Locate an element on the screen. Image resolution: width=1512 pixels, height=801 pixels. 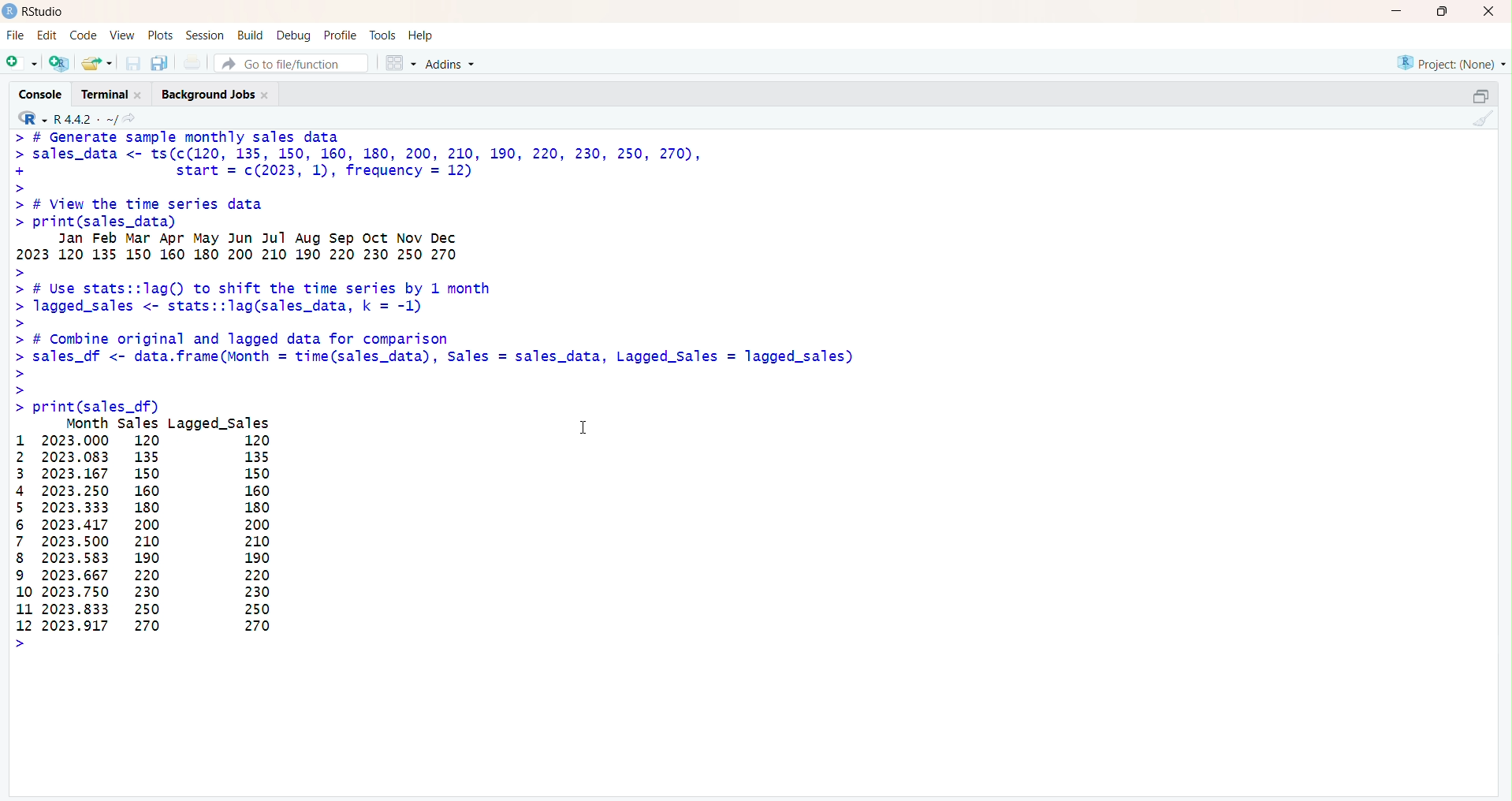
save current document is located at coordinates (134, 64).